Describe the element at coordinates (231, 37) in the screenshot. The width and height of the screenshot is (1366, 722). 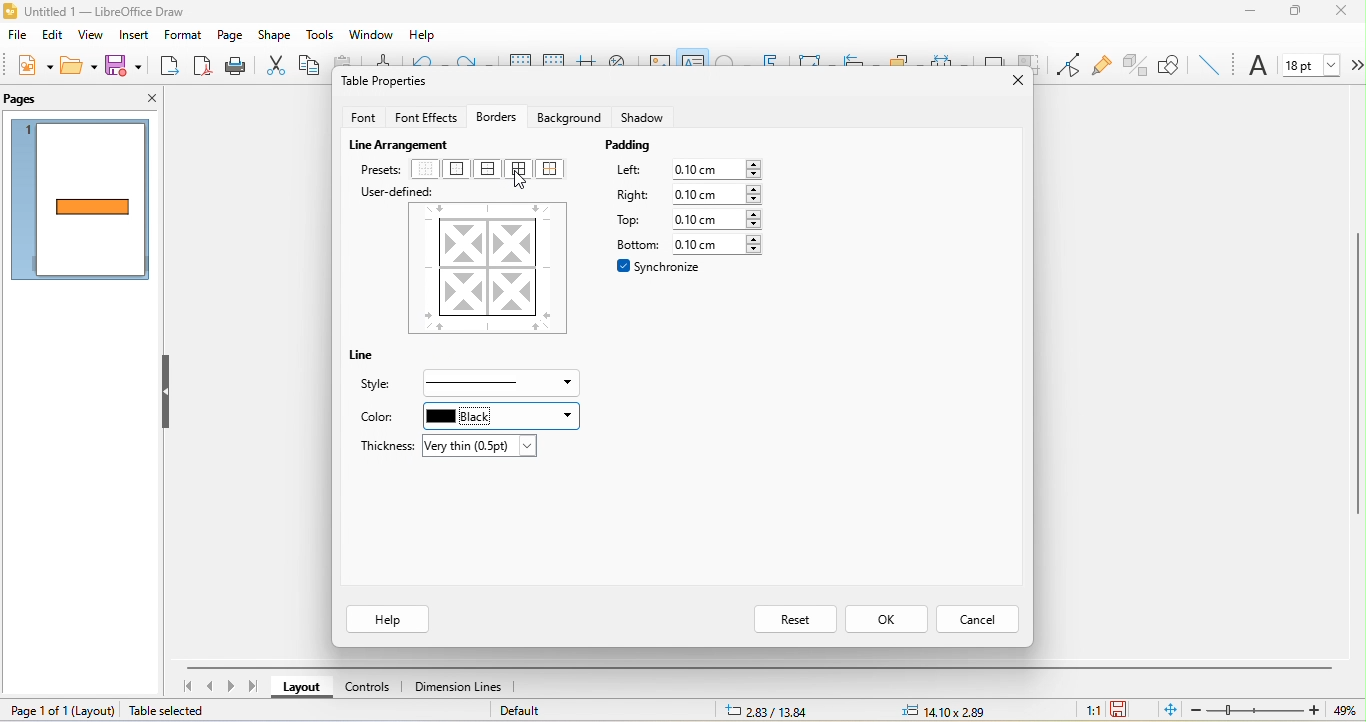
I see `page` at that location.